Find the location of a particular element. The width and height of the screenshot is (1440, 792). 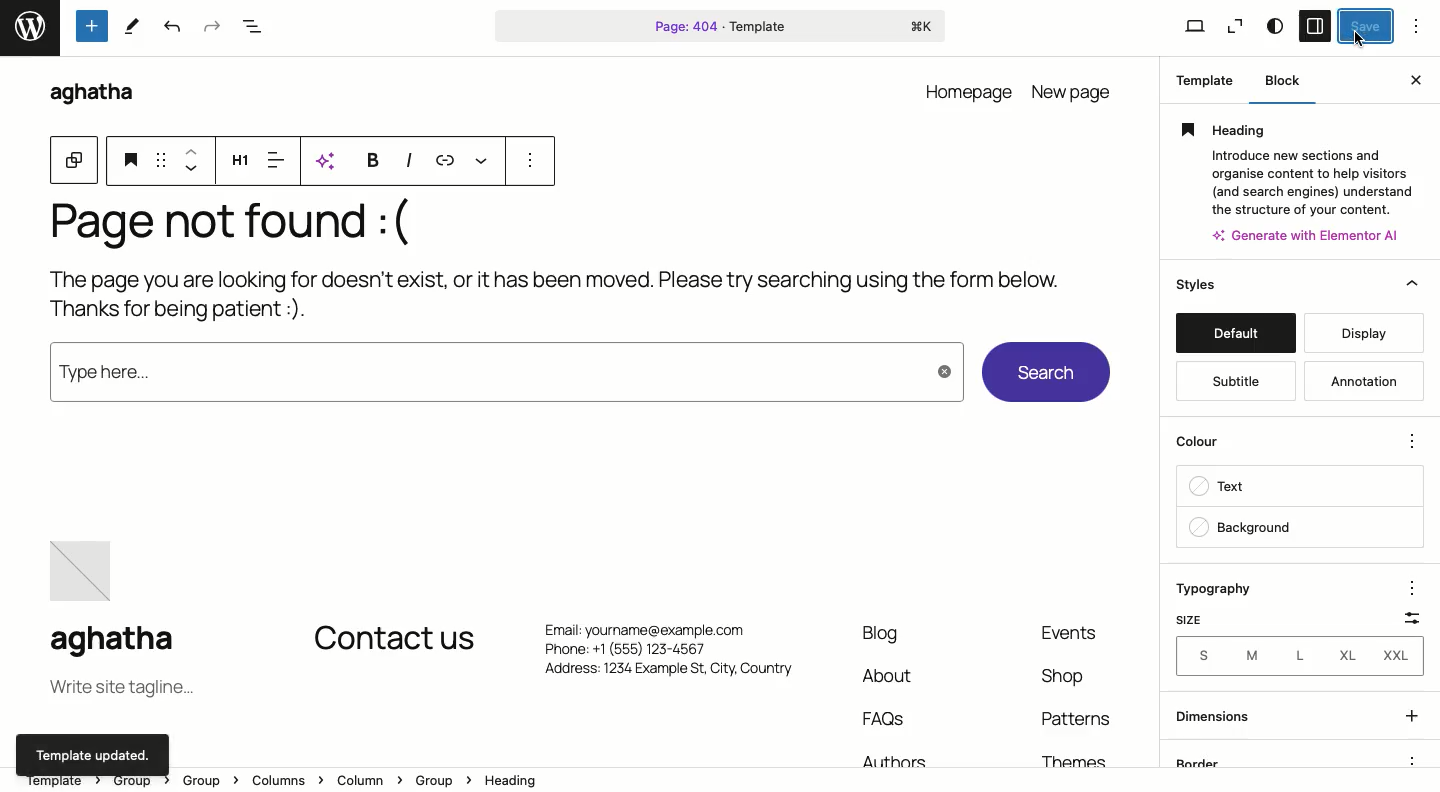

text is located at coordinates (1232, 484).